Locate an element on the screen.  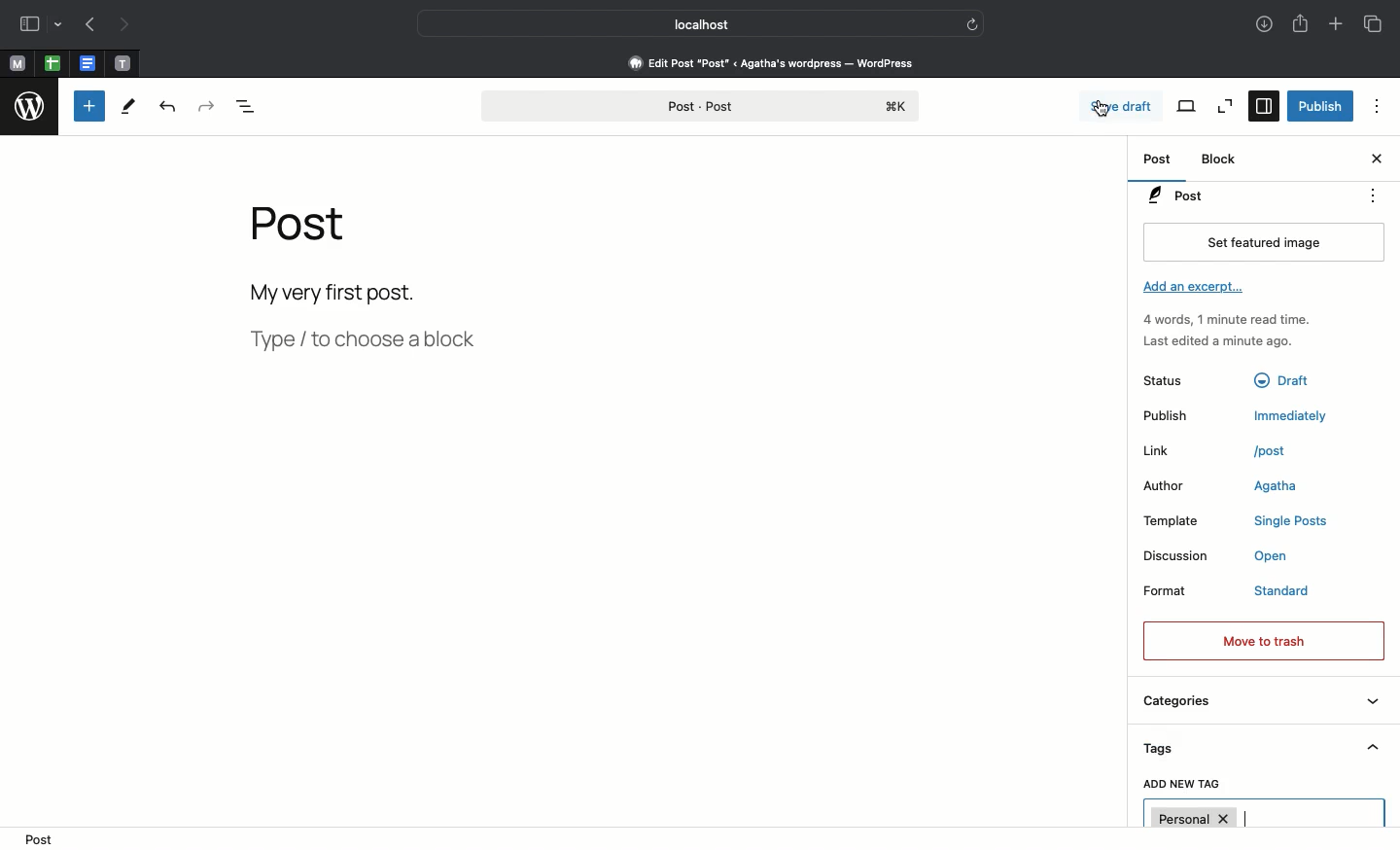
Agatha is located at coordinates (1275, 487).